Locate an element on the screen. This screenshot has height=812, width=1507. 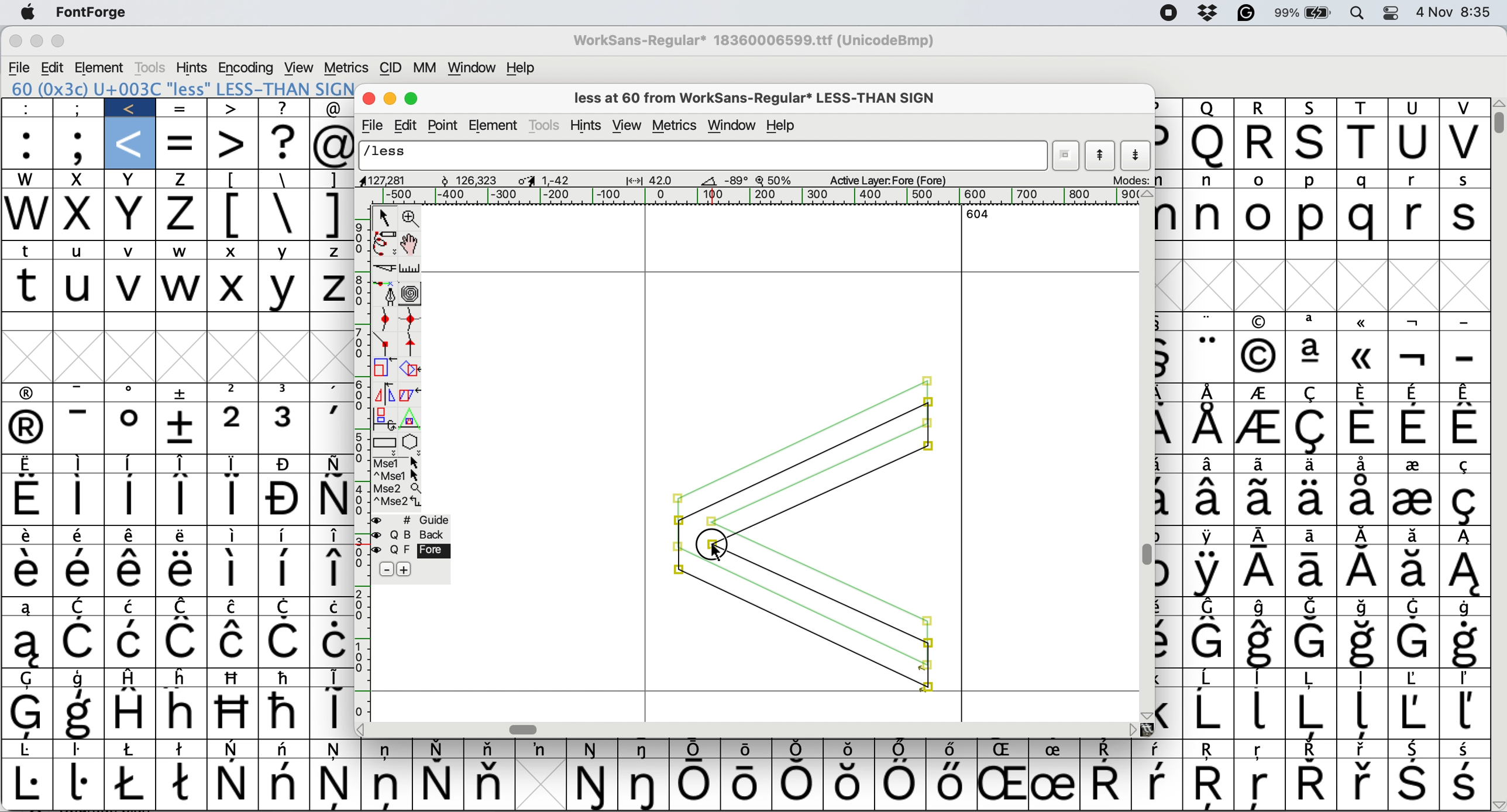
Symbol is located at coordinates (287, 501).